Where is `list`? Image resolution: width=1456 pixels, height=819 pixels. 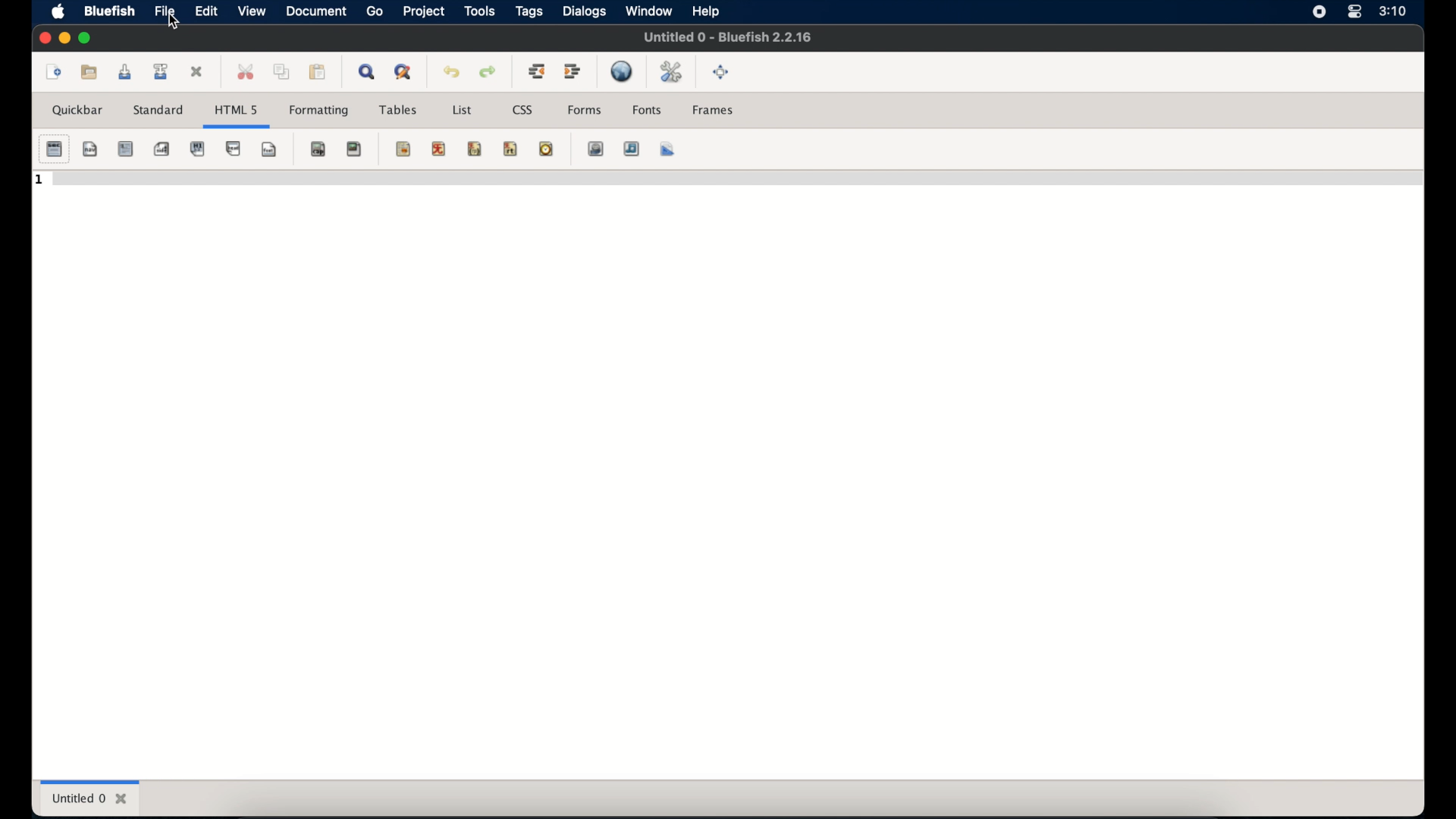
list is located at coordinates (462, 110).